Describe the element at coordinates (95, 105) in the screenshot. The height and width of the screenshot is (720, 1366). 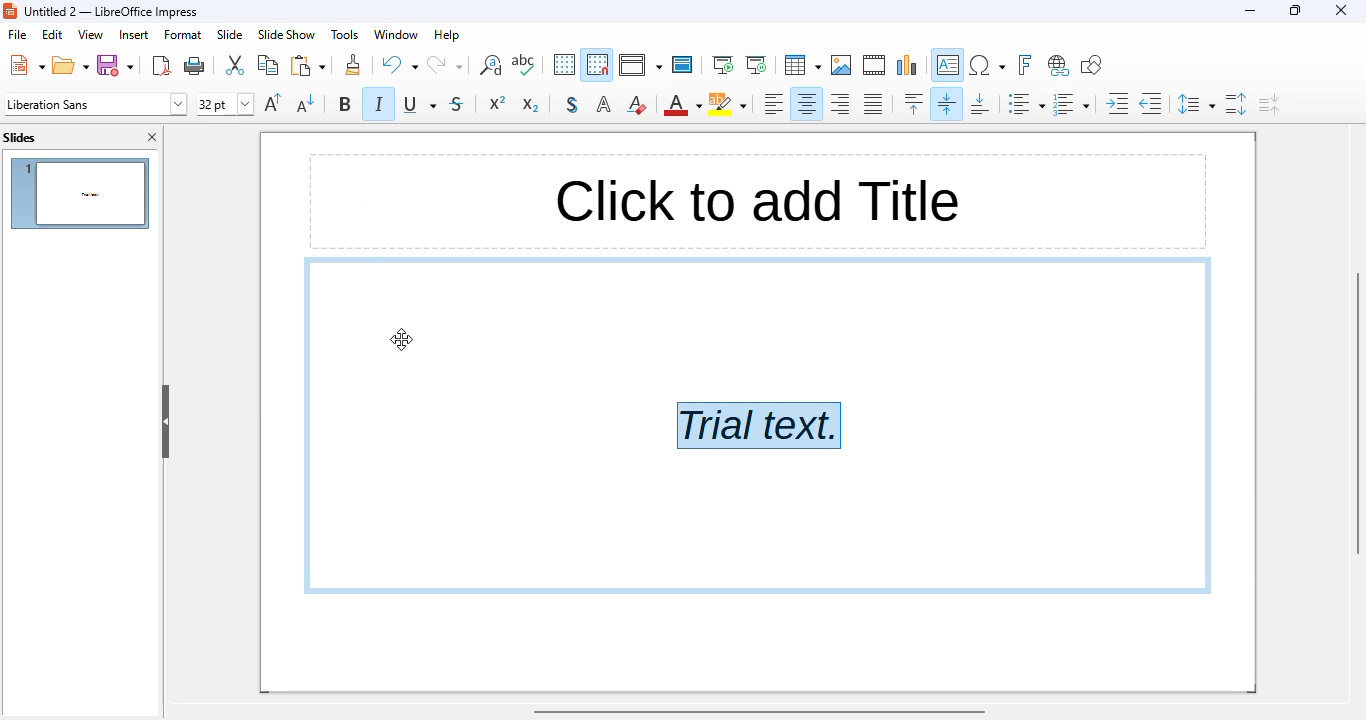
I see `font name` at that location.